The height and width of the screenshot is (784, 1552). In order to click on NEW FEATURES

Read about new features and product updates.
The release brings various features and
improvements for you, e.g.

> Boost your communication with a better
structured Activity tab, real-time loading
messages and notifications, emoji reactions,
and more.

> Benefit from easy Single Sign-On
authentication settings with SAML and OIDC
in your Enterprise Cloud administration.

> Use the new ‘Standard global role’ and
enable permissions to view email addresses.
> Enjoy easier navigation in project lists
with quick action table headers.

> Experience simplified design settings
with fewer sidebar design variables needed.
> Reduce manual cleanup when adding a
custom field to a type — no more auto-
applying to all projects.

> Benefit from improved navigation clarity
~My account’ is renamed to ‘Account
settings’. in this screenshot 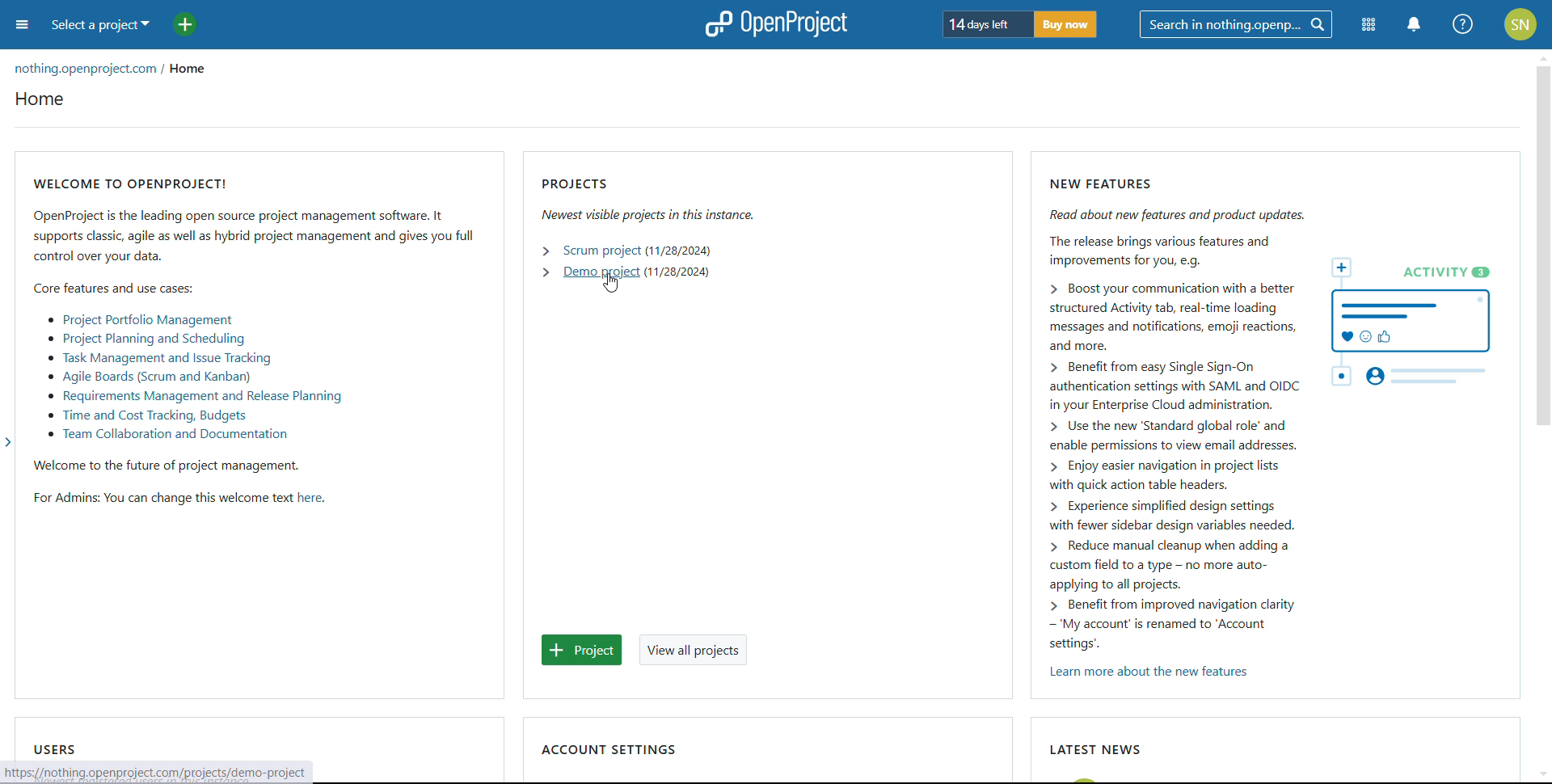, I will do `click(1162, 408)`.